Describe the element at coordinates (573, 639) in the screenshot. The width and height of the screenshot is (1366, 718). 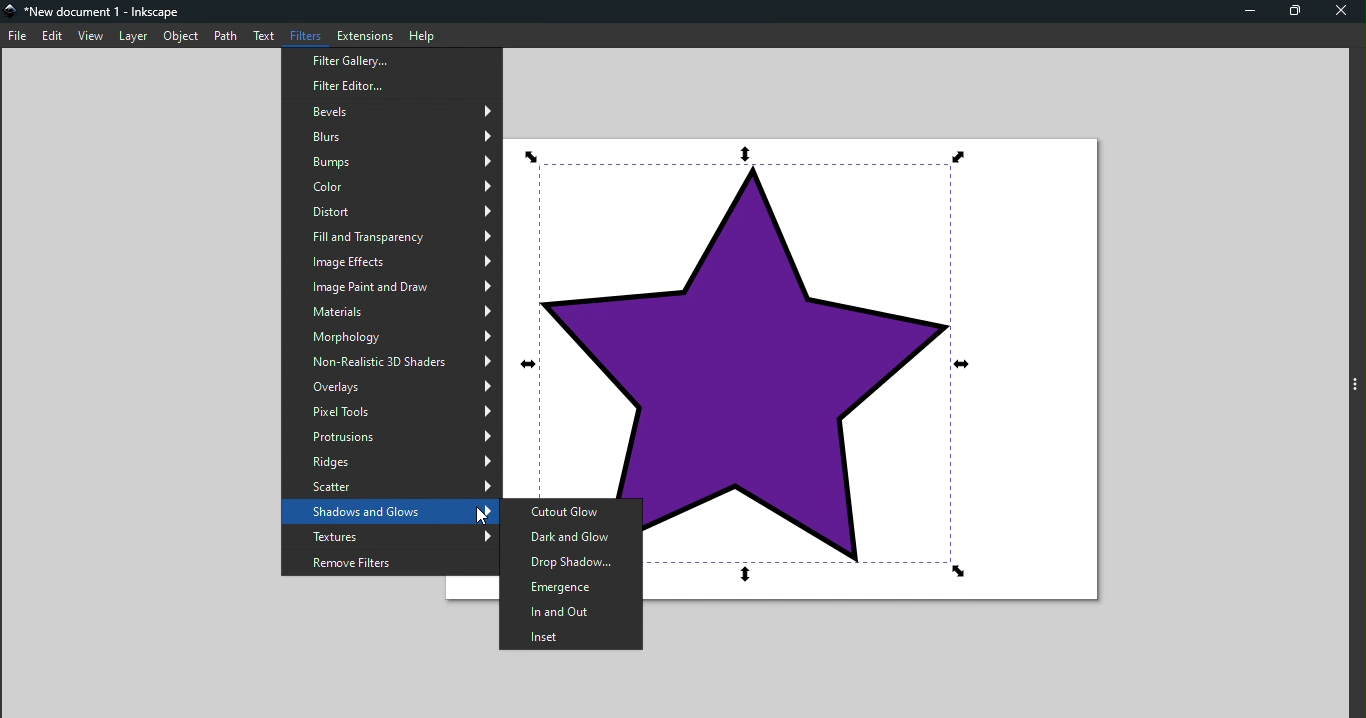
I see `Inset` at that location.